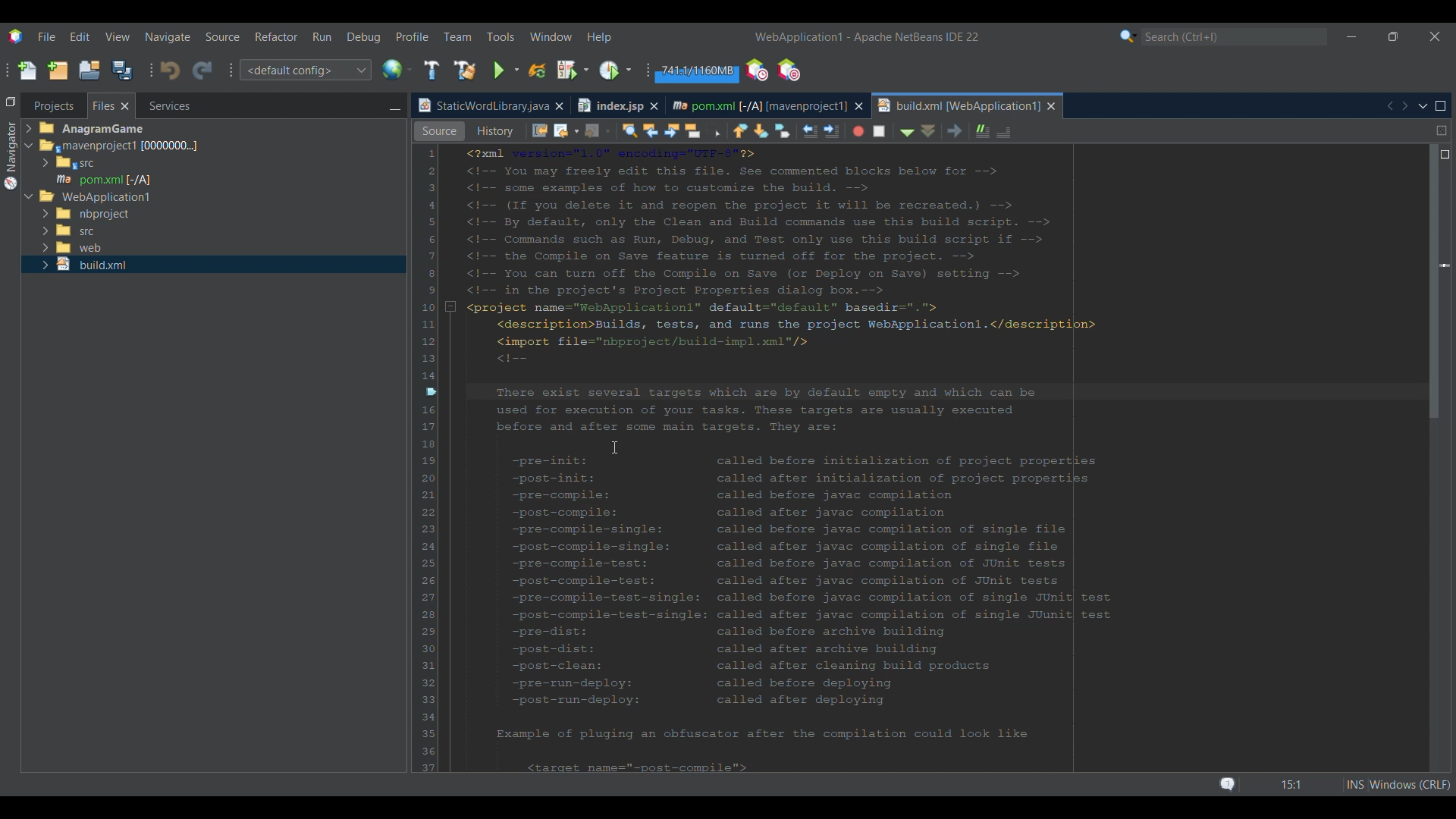 This screenshot has width=1456, height=819. Describe the element at coordinates (275, 36) in the screenshot. I see `Refactor menu` at that location.